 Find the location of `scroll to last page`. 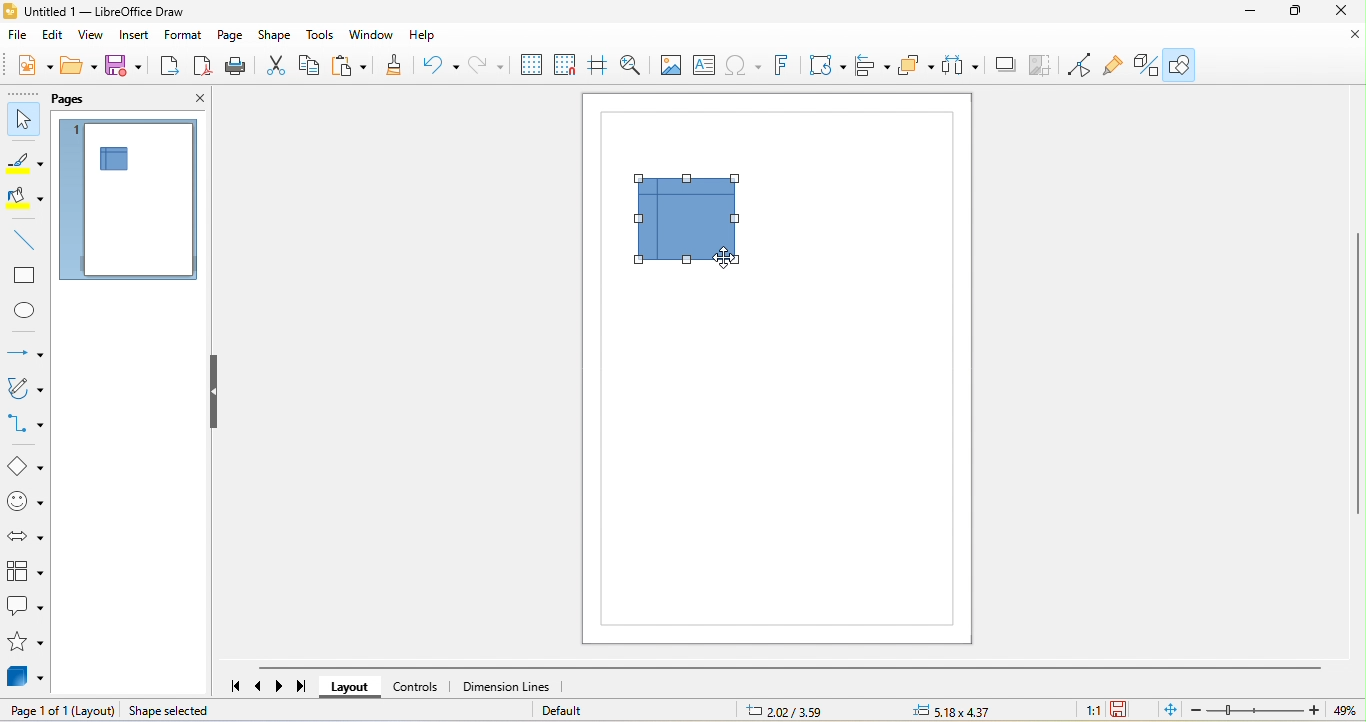

scroll to last page is located at coordinates (304, 689).